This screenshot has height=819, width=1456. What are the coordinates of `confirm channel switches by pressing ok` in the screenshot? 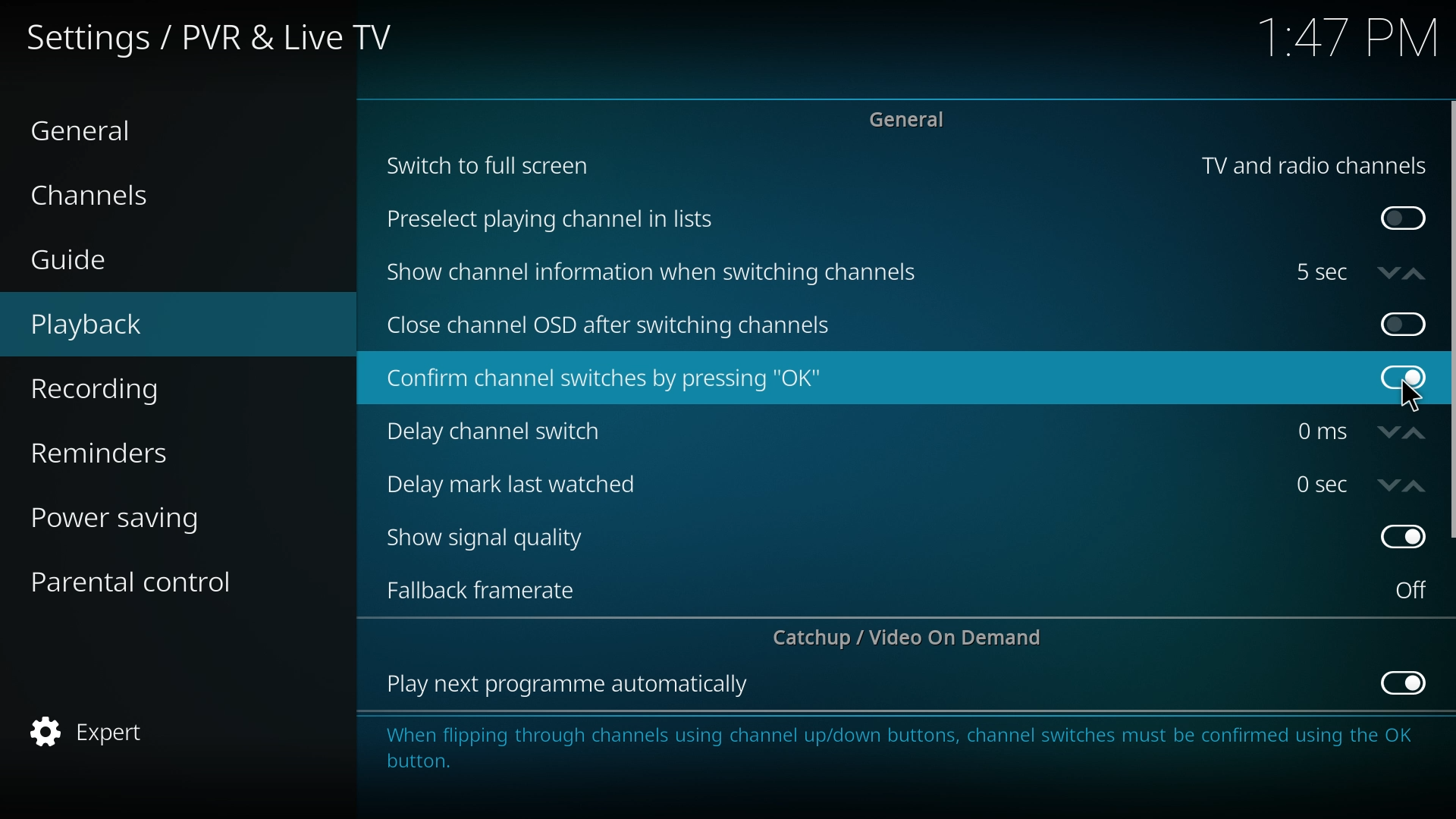 It's located at (603, 379).